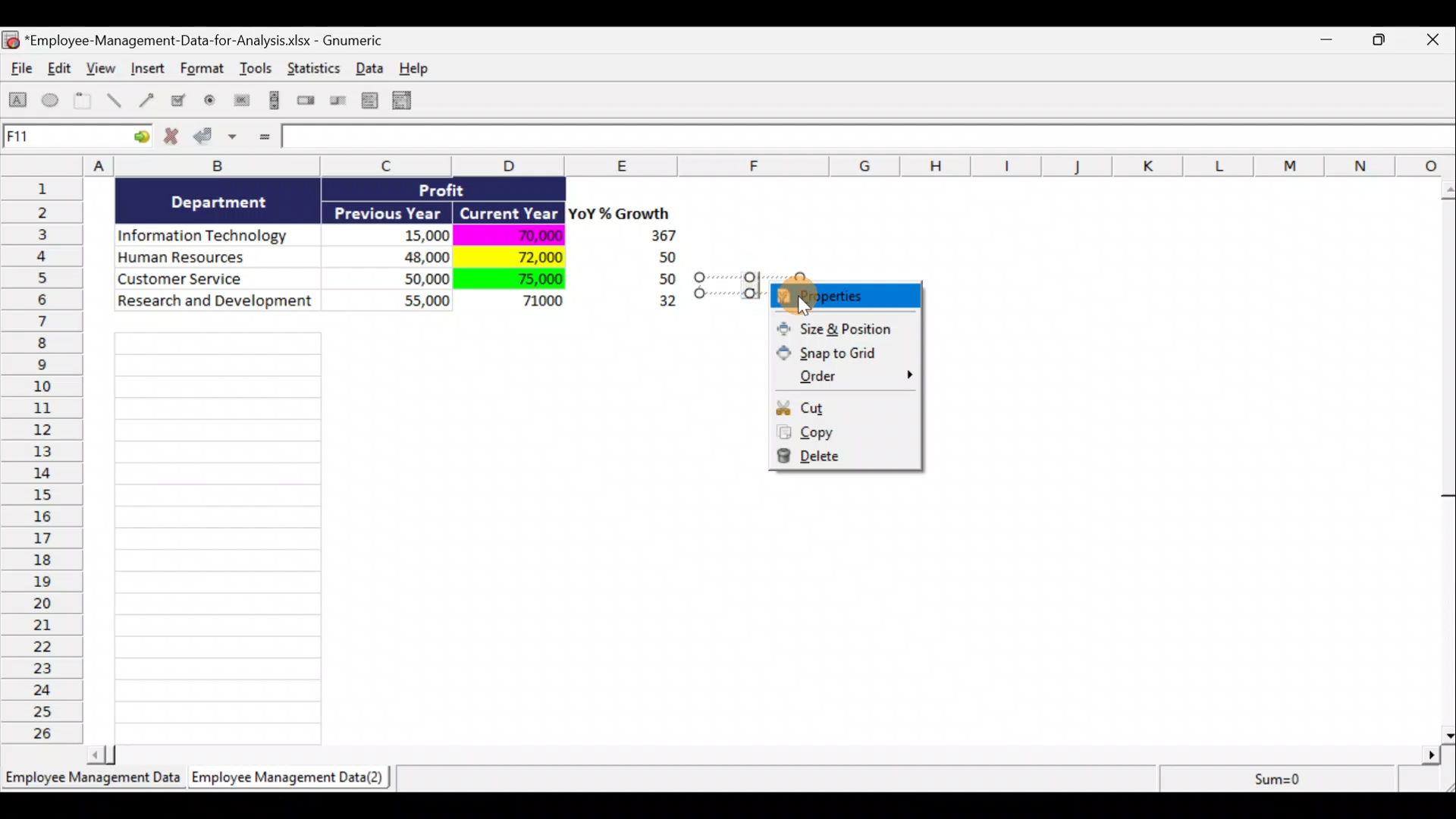 This screenshot has height=819, width=1456. I want to click on Formula bar, so click(870, 140).